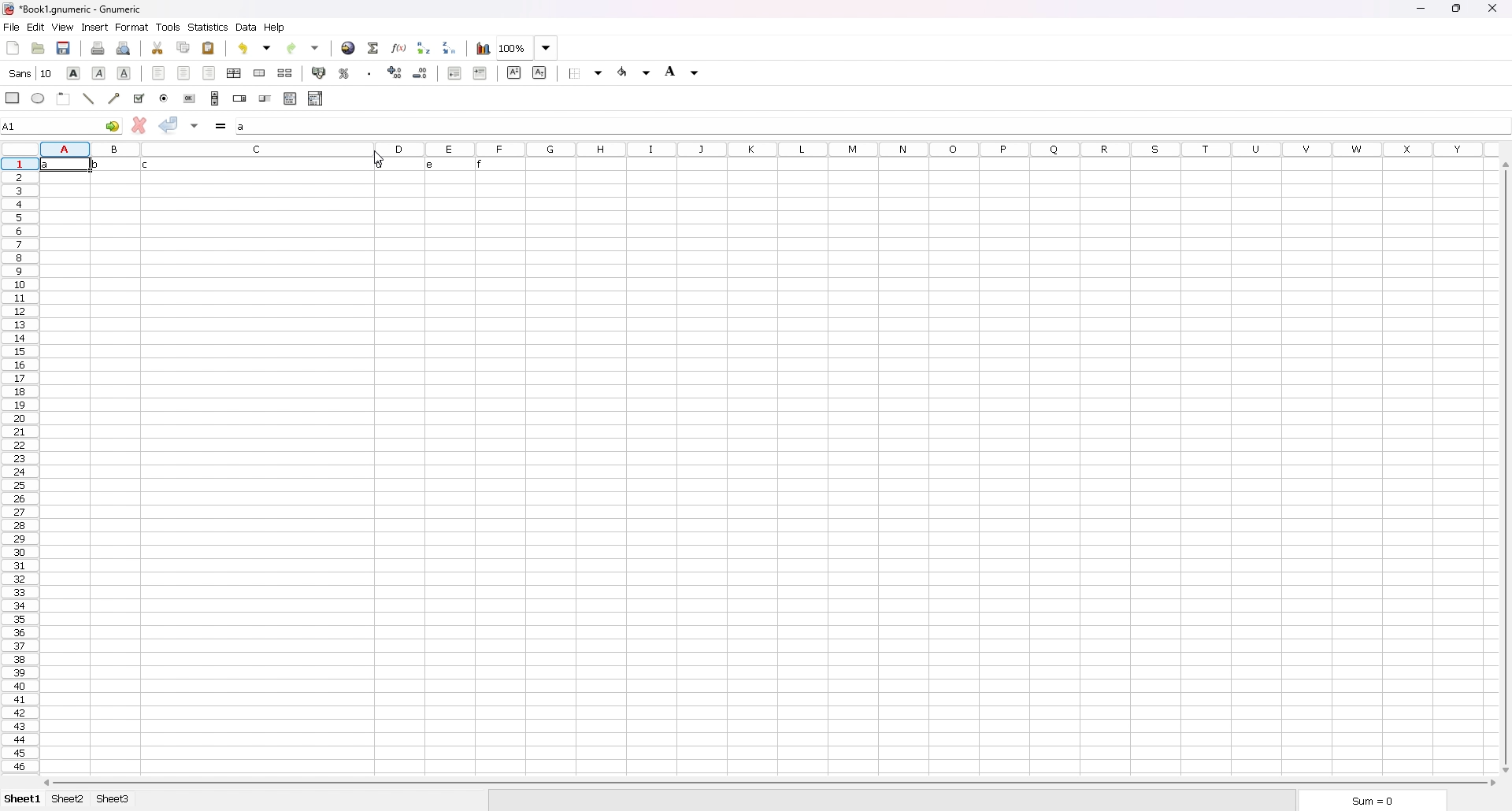 The image size is (1512, 811). Describe the element at coordinates (113, 799) in the screenshot. I see `sheet 3` at that location.